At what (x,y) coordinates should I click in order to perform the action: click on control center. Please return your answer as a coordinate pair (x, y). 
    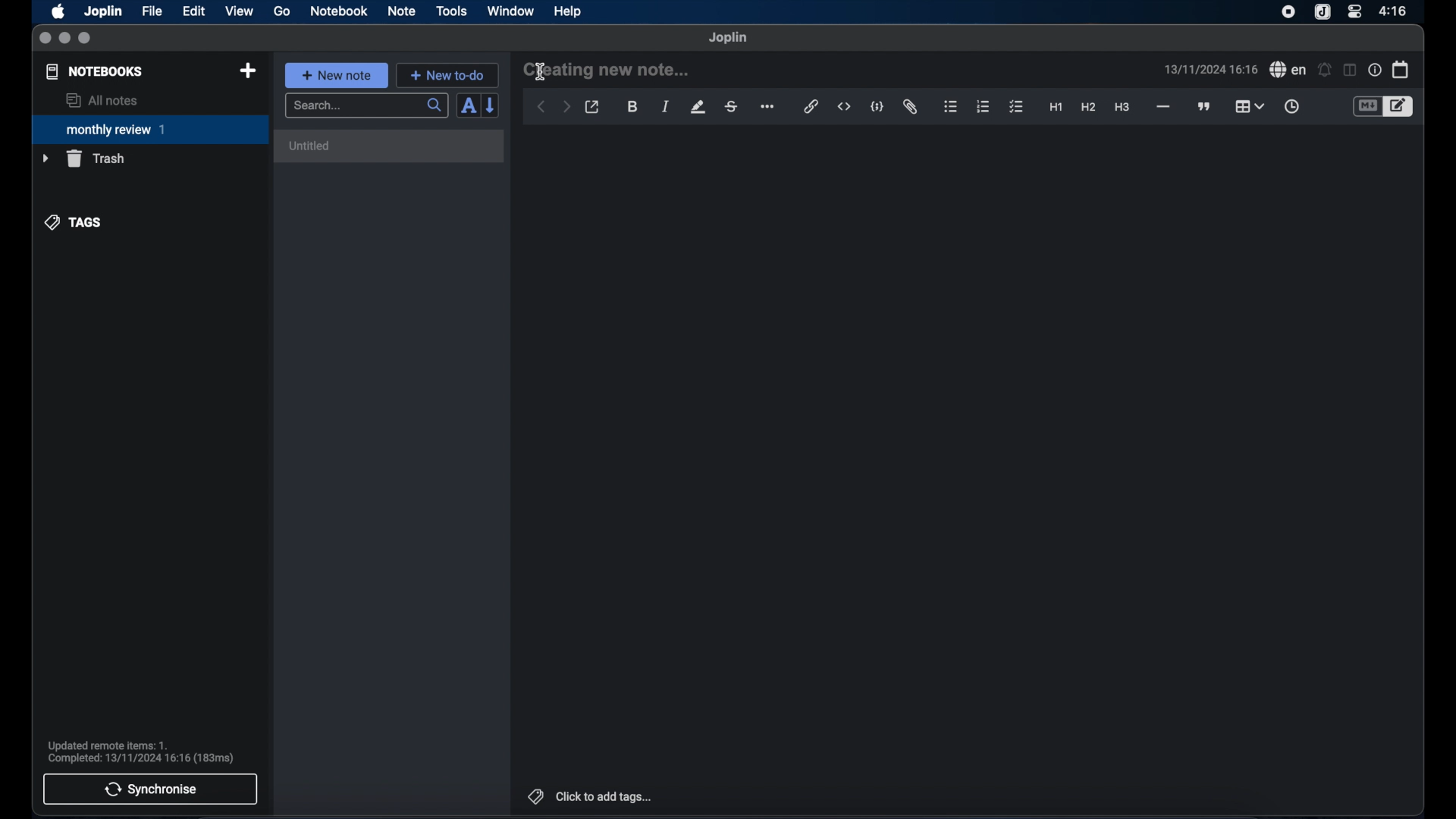
    Looking at the image, I should click on (1354, 11).